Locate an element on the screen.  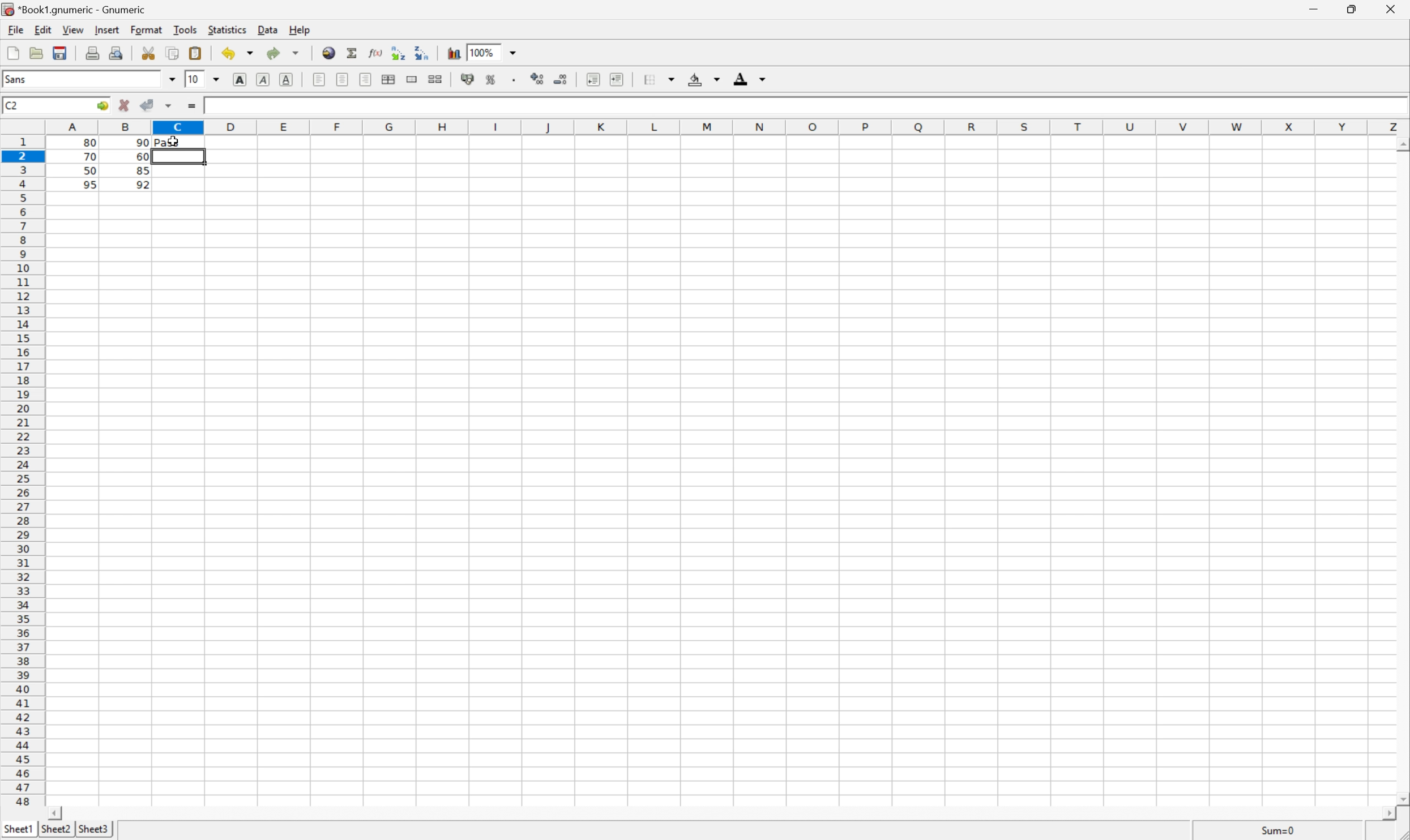
10 is located at coordinates (193, 79).